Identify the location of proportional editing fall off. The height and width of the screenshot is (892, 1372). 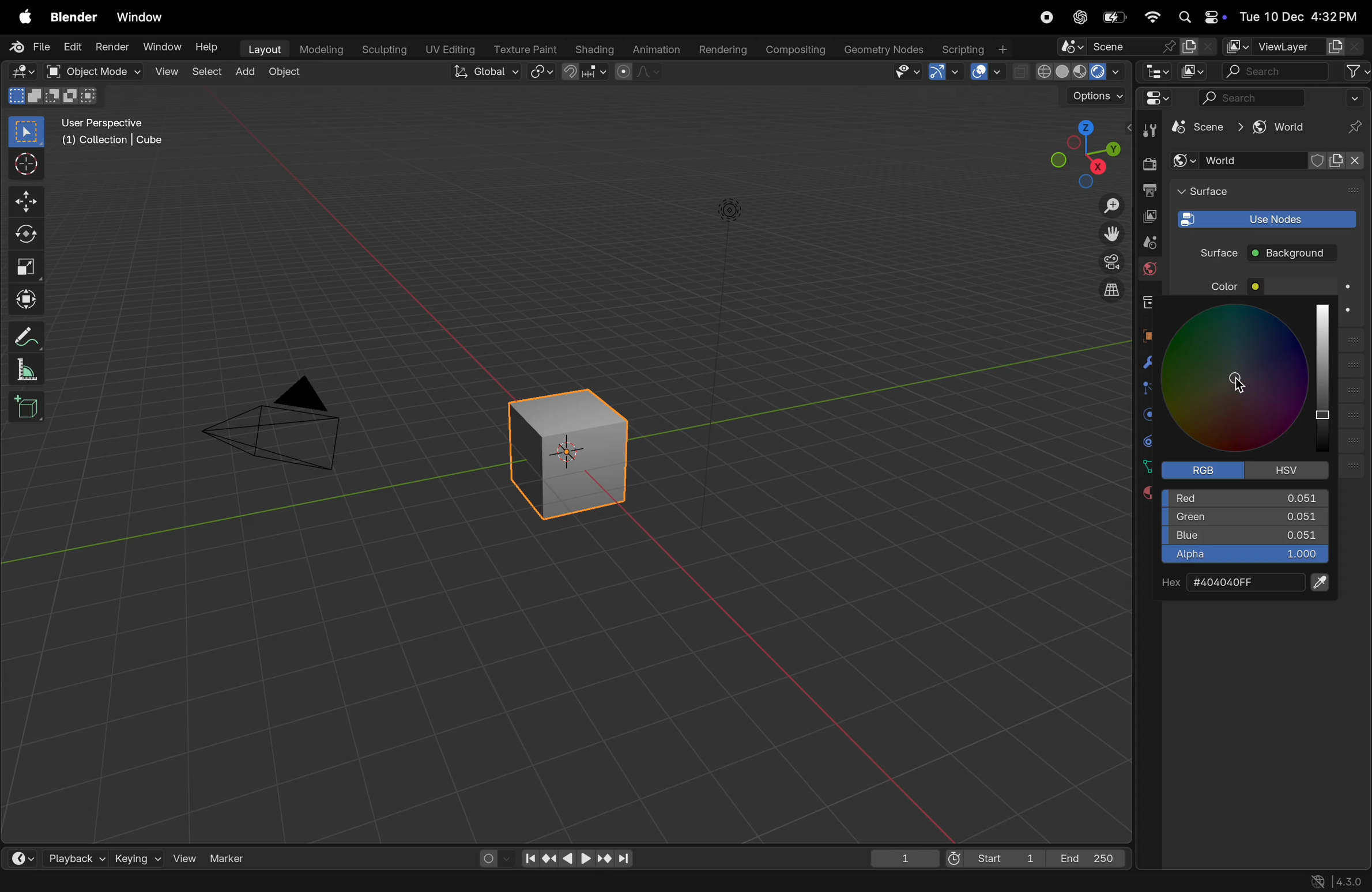
(639, 74).